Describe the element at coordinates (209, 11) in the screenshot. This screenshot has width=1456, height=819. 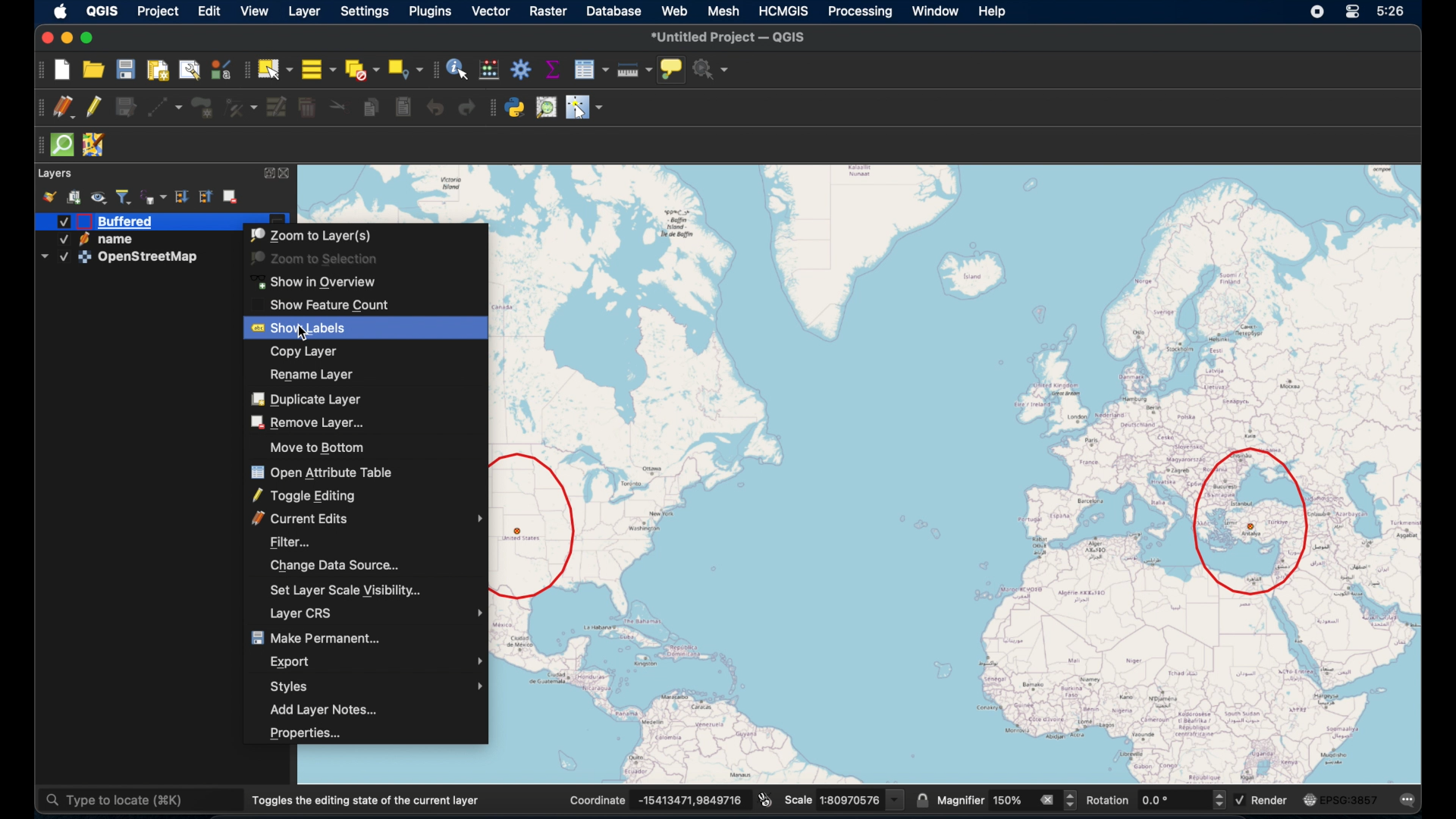
I see `edit` at that location.